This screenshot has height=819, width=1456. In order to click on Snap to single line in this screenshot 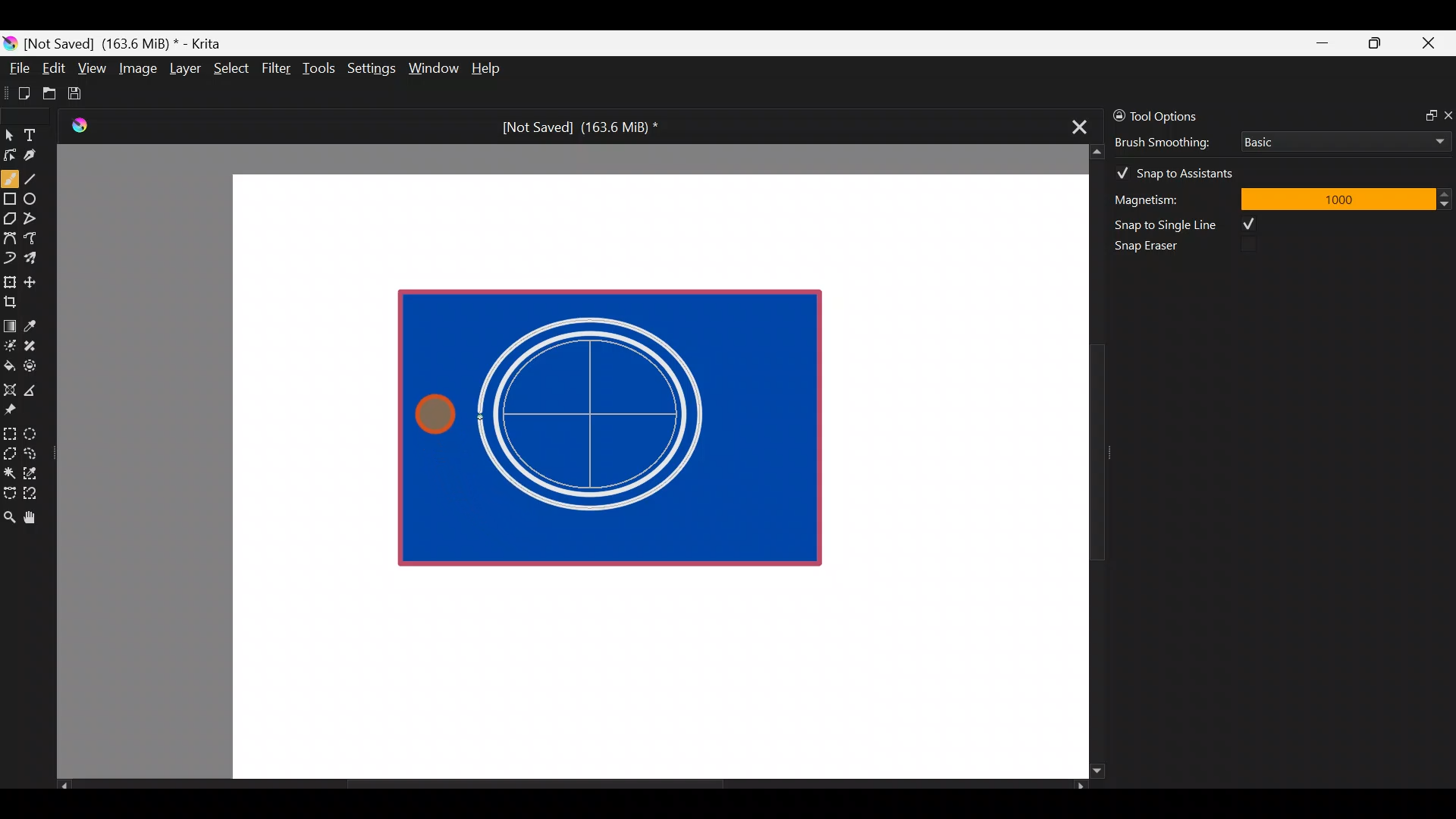, I will do `click(1191, 224)`.